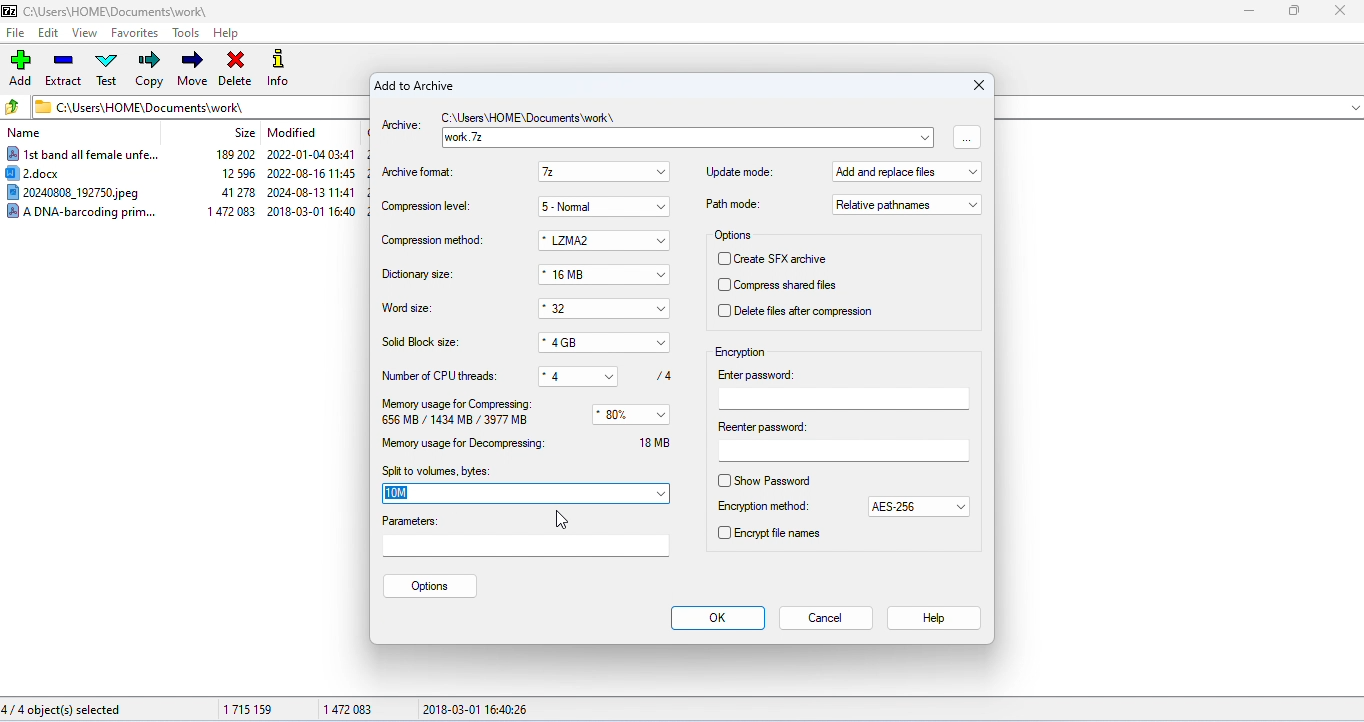 This screenshot has height=722, width=1364. What do you see at coordinates (527, 537) in the screenshot?
I see `parameters` at bounding box center [527, 537].